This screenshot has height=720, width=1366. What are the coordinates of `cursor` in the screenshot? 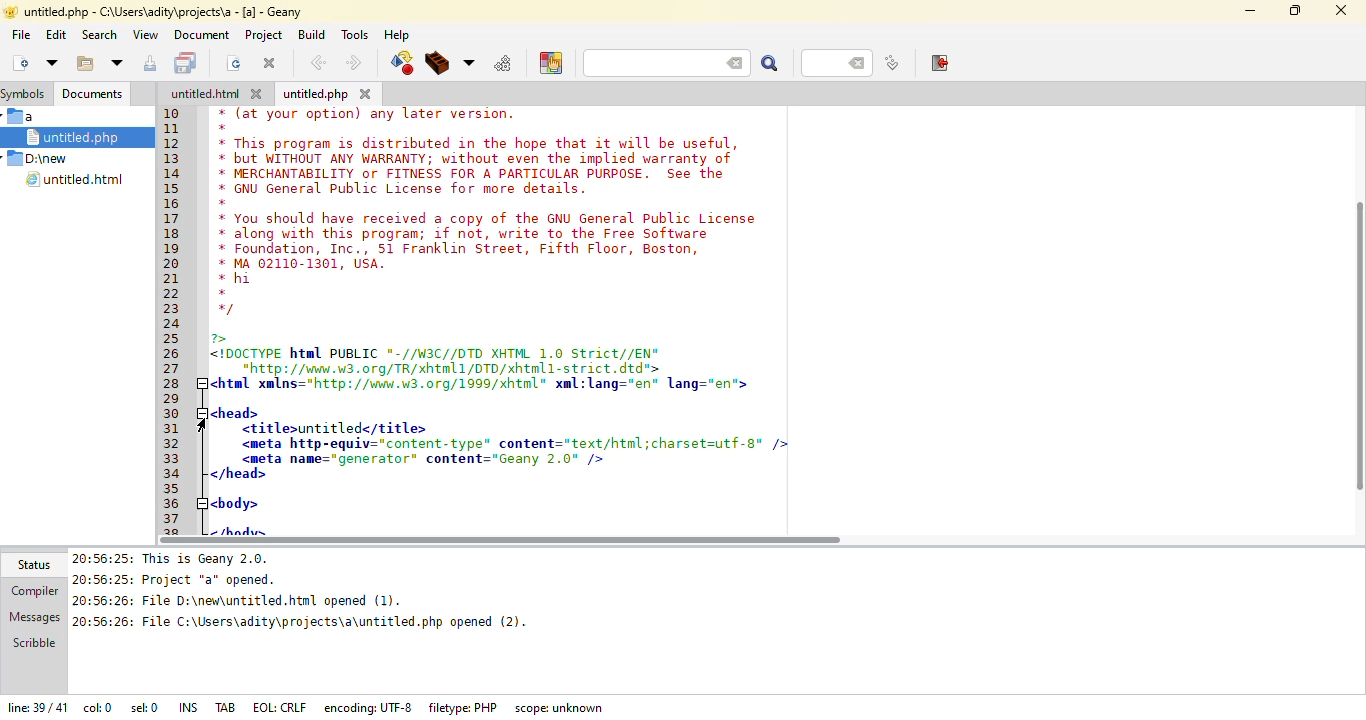 It's located at (204, 426).